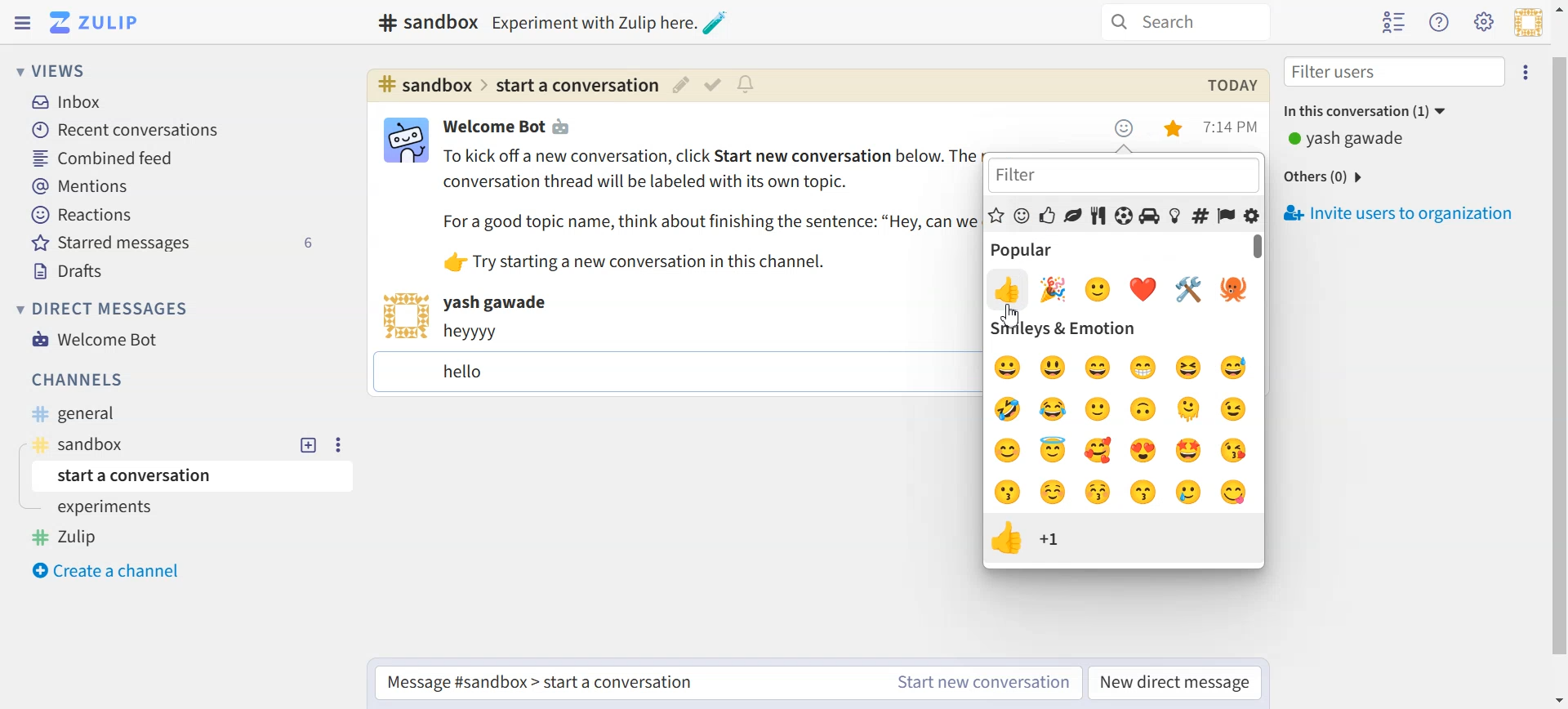 This screenshot has height=709, width=1568. Describe the element at coordinates (1192, 370) in the screenshot. I see `laughing` at that location.